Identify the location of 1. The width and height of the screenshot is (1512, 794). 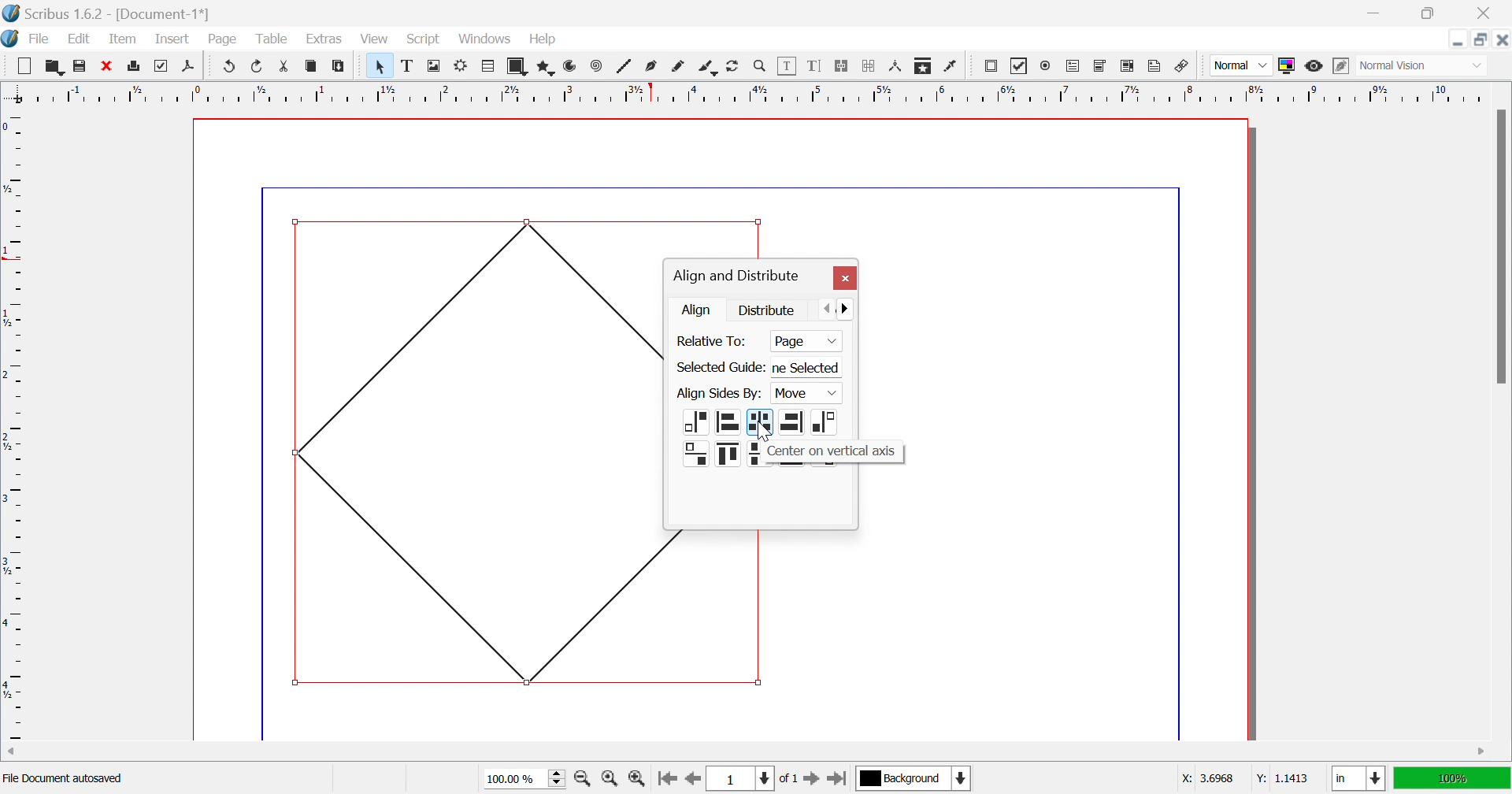
(738, 779).